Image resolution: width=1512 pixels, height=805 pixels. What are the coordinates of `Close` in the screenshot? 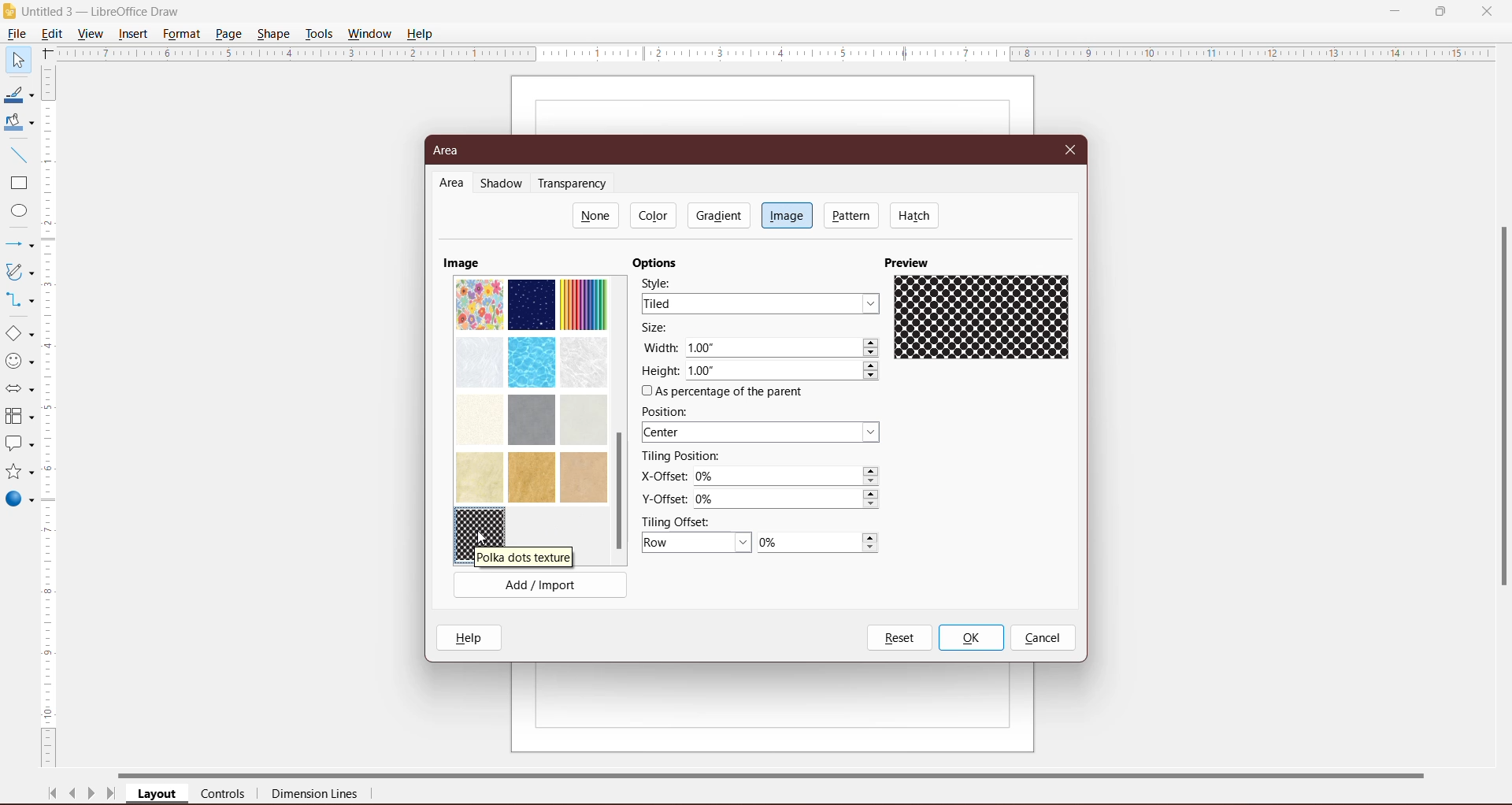 It's located at (1071, 148).